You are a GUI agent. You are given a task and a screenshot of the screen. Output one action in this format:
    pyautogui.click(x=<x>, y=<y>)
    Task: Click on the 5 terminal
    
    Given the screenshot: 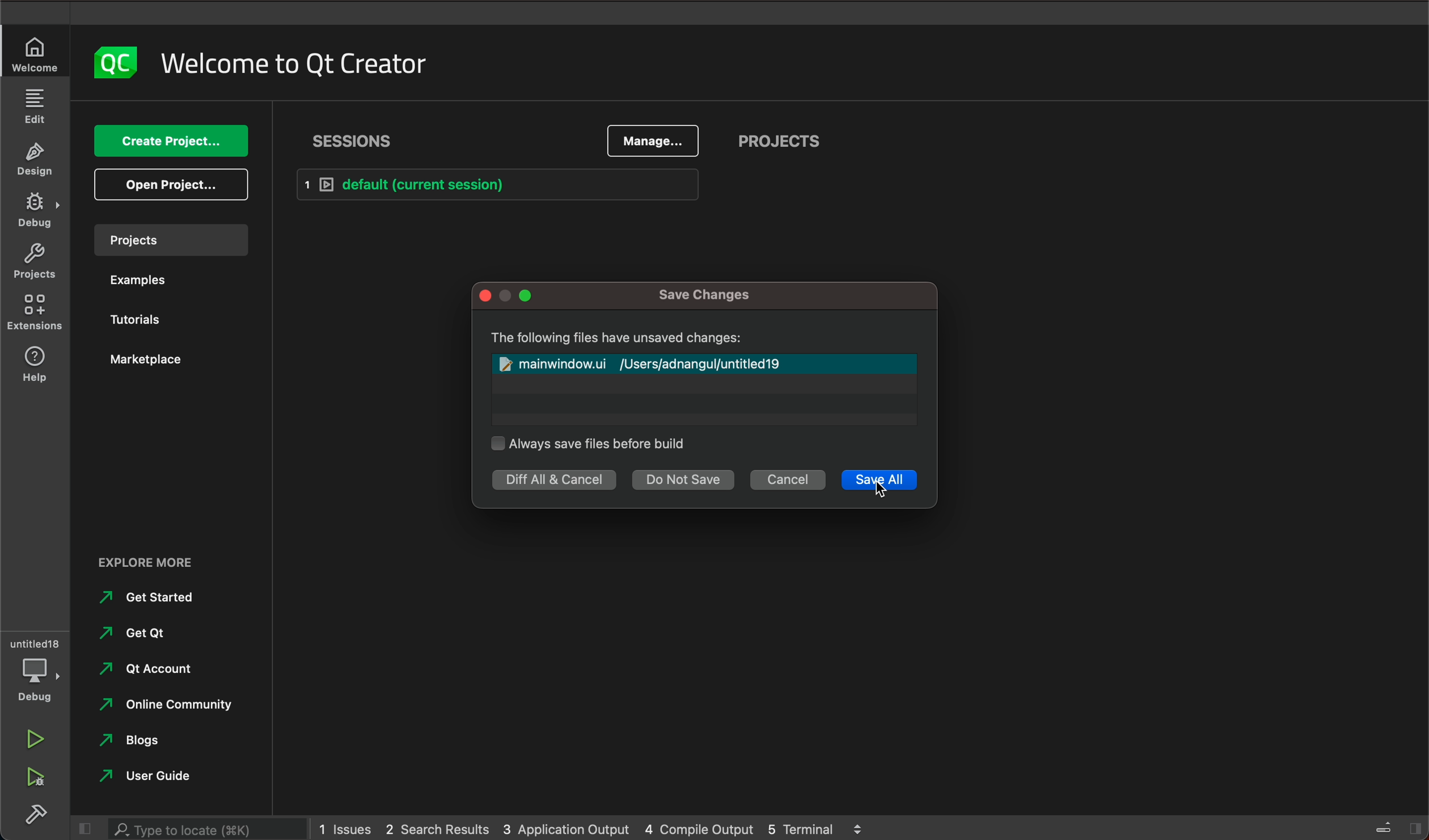 What is the action you would take?
    pyautogui.click(x=802, y=826)
    